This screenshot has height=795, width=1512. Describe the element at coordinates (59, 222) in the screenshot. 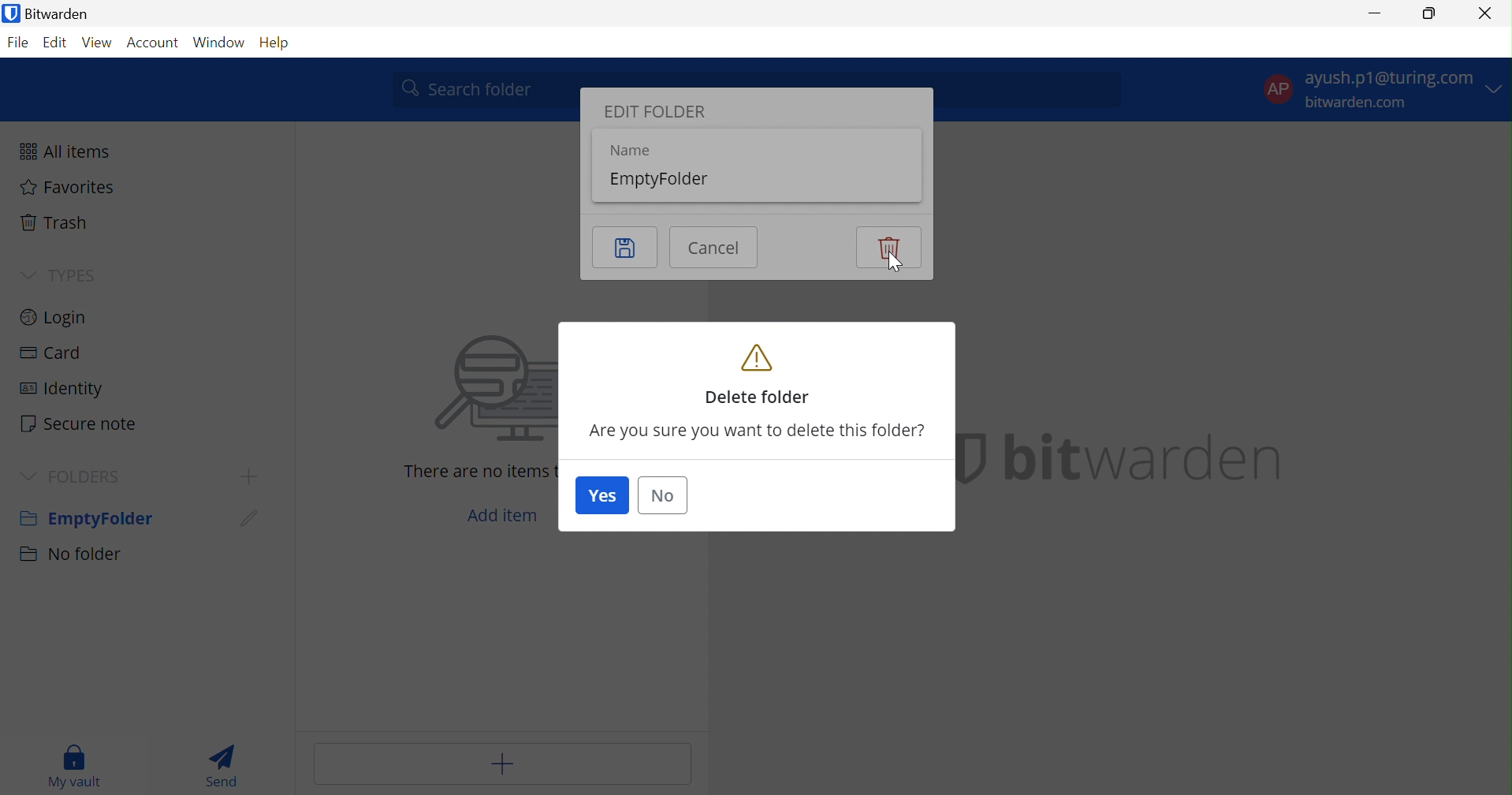

I see `Tarsh` at that location.